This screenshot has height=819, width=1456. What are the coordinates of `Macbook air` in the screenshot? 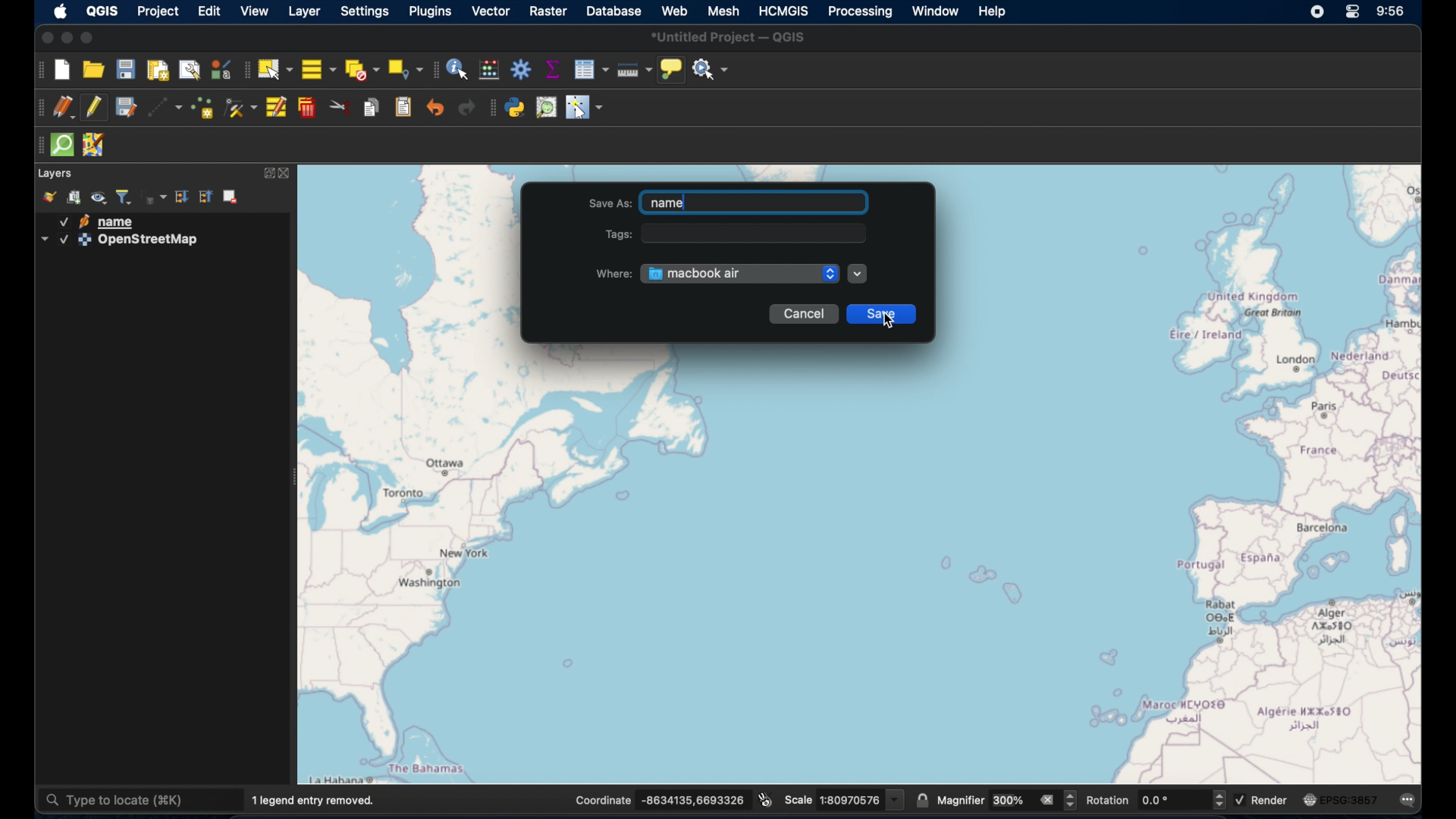 It's located at (741, 272).